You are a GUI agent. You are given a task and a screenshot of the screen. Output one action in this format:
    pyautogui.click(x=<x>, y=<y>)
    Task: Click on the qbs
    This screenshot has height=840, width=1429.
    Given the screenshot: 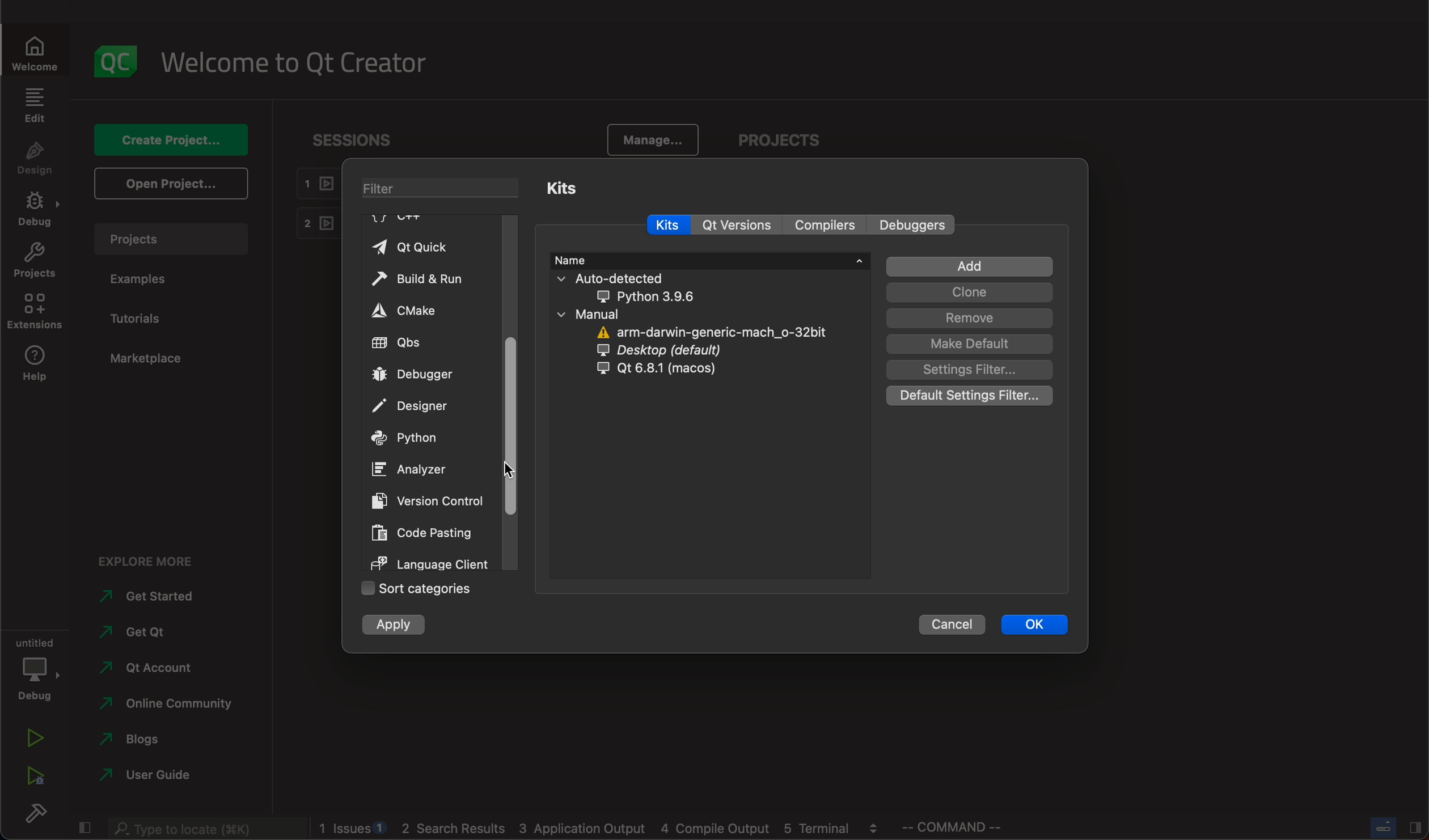 What is the action you would take?
    pyautogui.click(x=423, y=345)
    